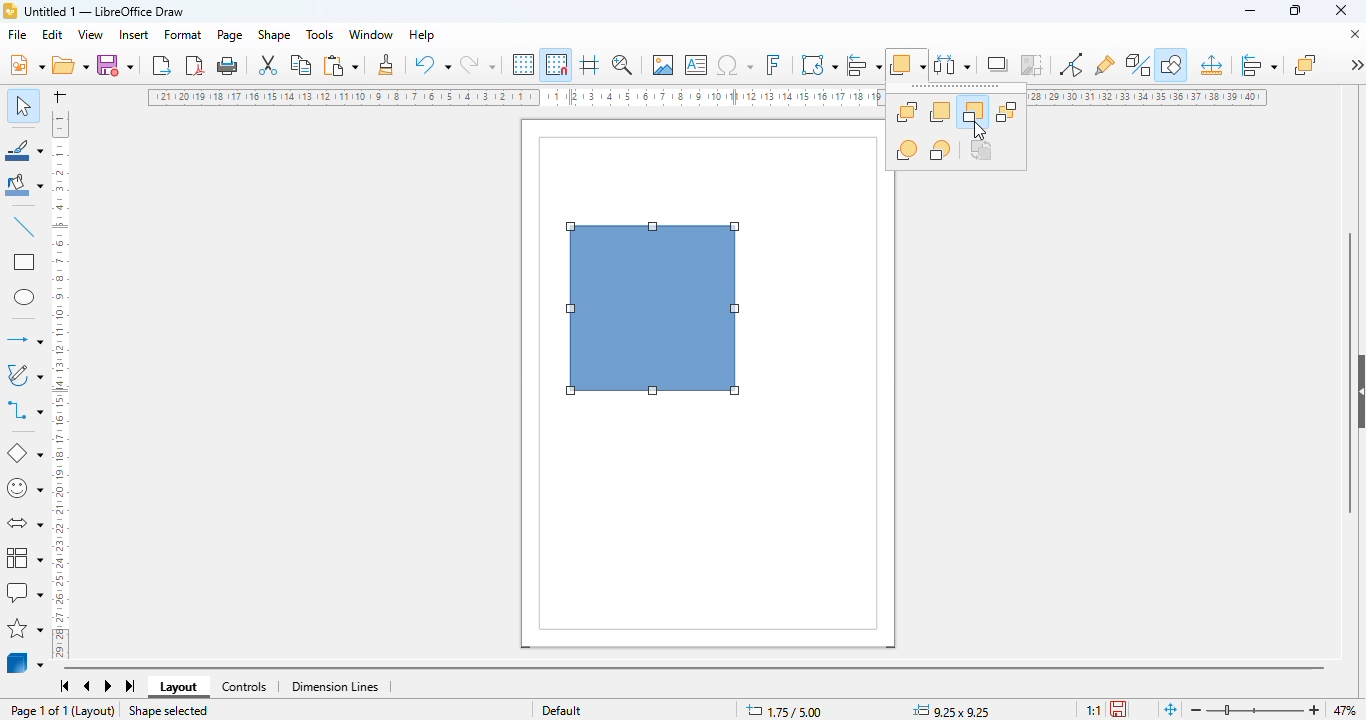 The height and width of the screenshot is (720, 1366). I want to click on show, so click(1357, 392).